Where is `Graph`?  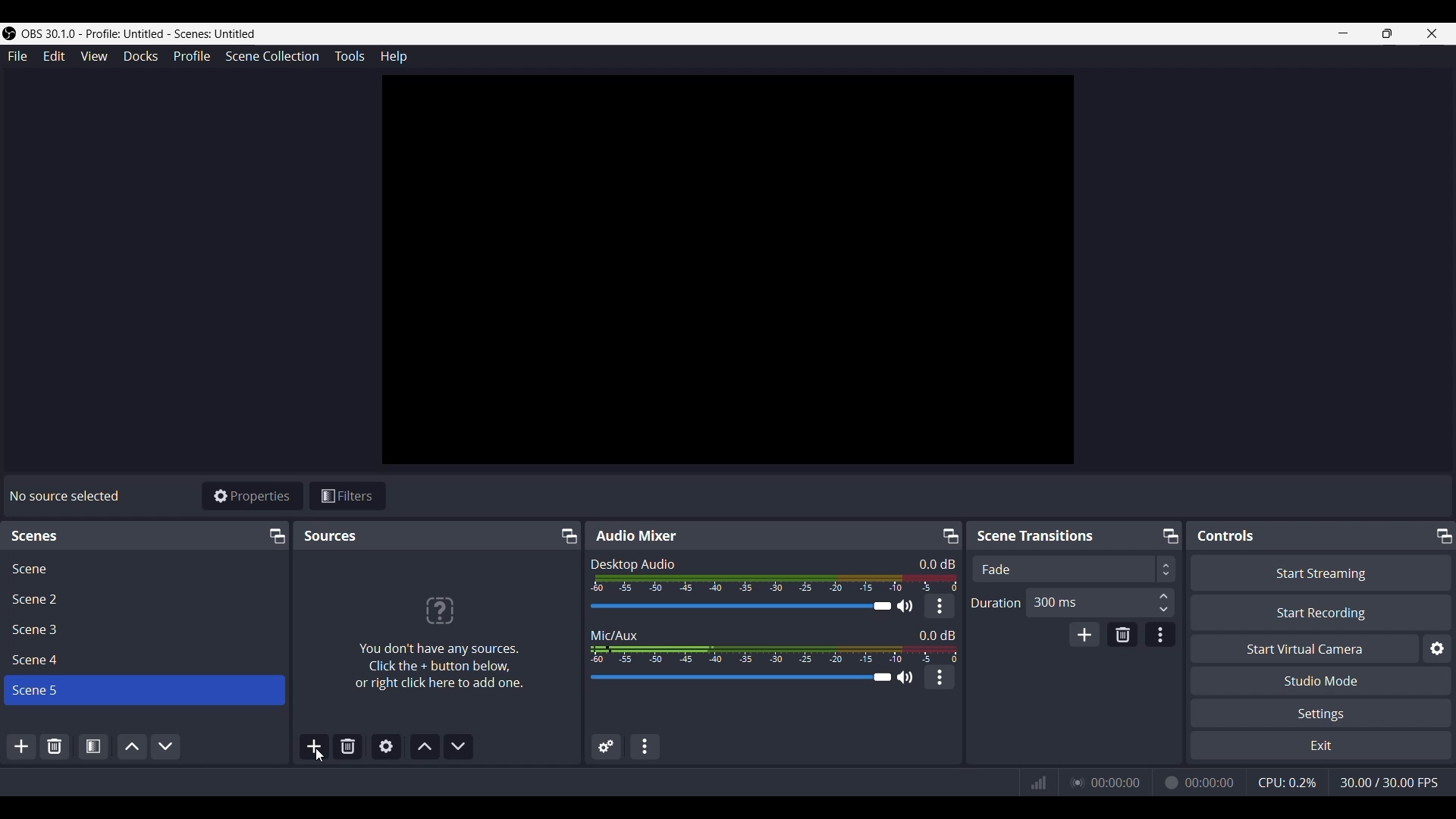 Graph is located at coordinates (1037, 782).